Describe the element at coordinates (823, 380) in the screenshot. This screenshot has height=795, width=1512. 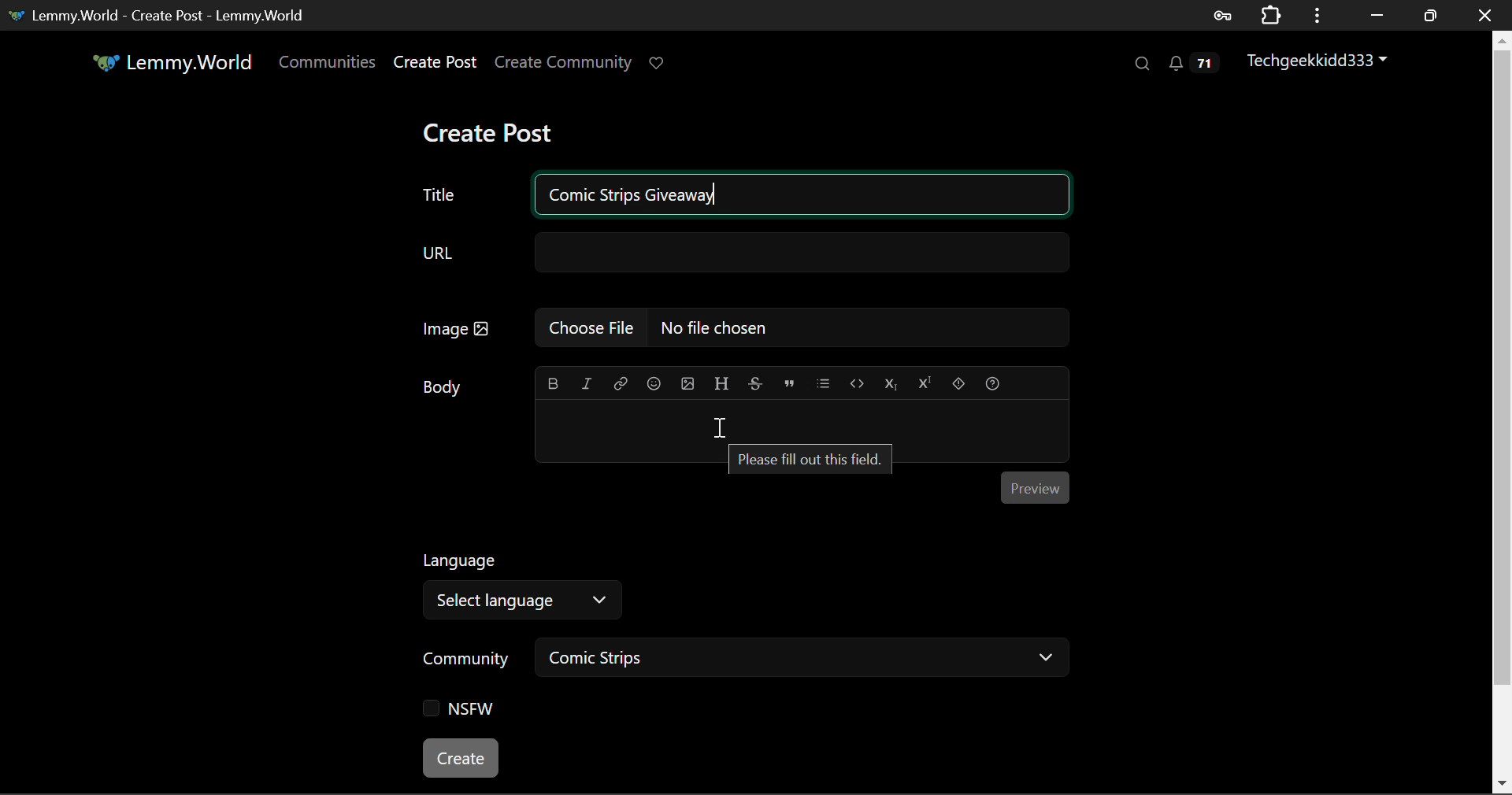
I see `list` at that location.